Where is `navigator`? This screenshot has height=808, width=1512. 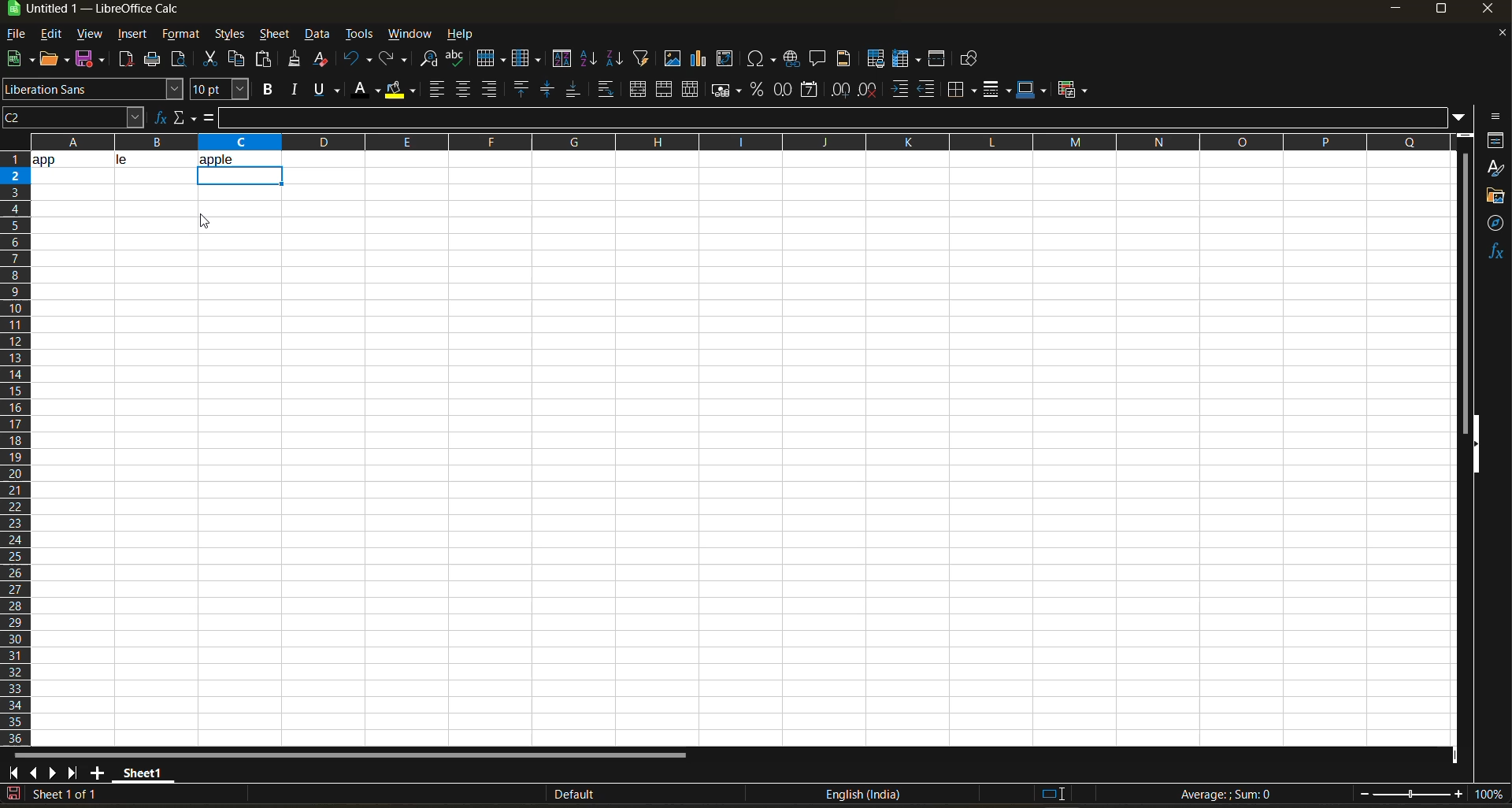
navigator is located at coordinates (1496, 223).